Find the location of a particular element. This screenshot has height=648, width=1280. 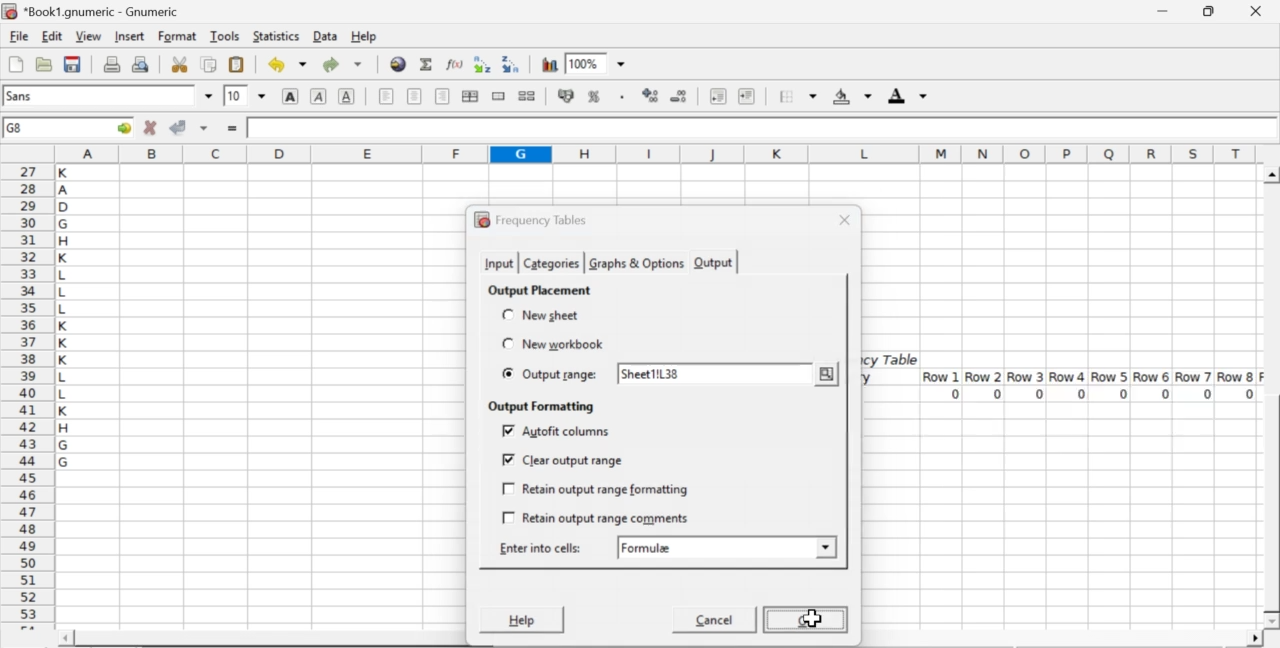

close is located at coordinates (1254, 11).